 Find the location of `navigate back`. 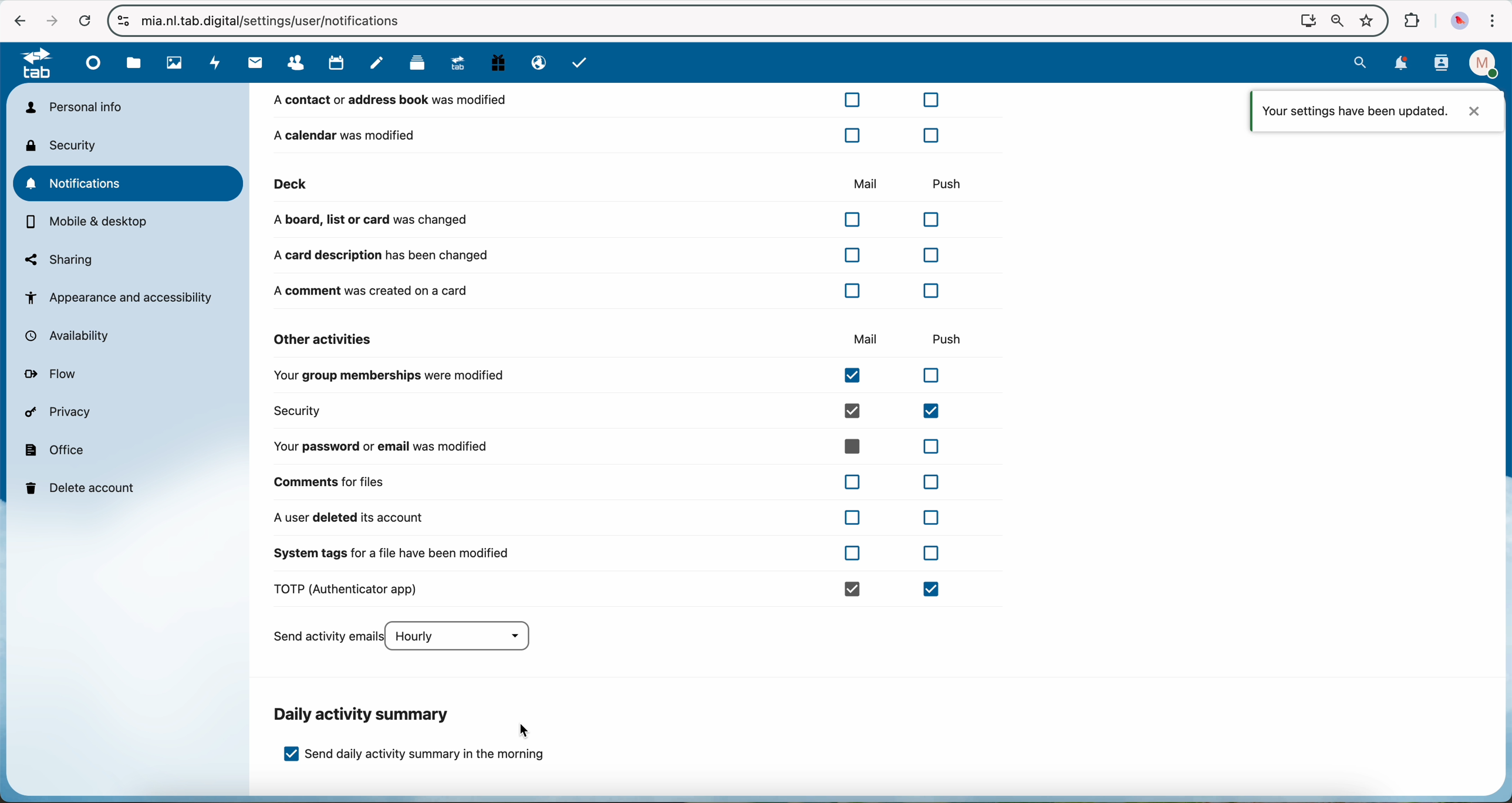

navigate back is located at coordinates (17, 20).